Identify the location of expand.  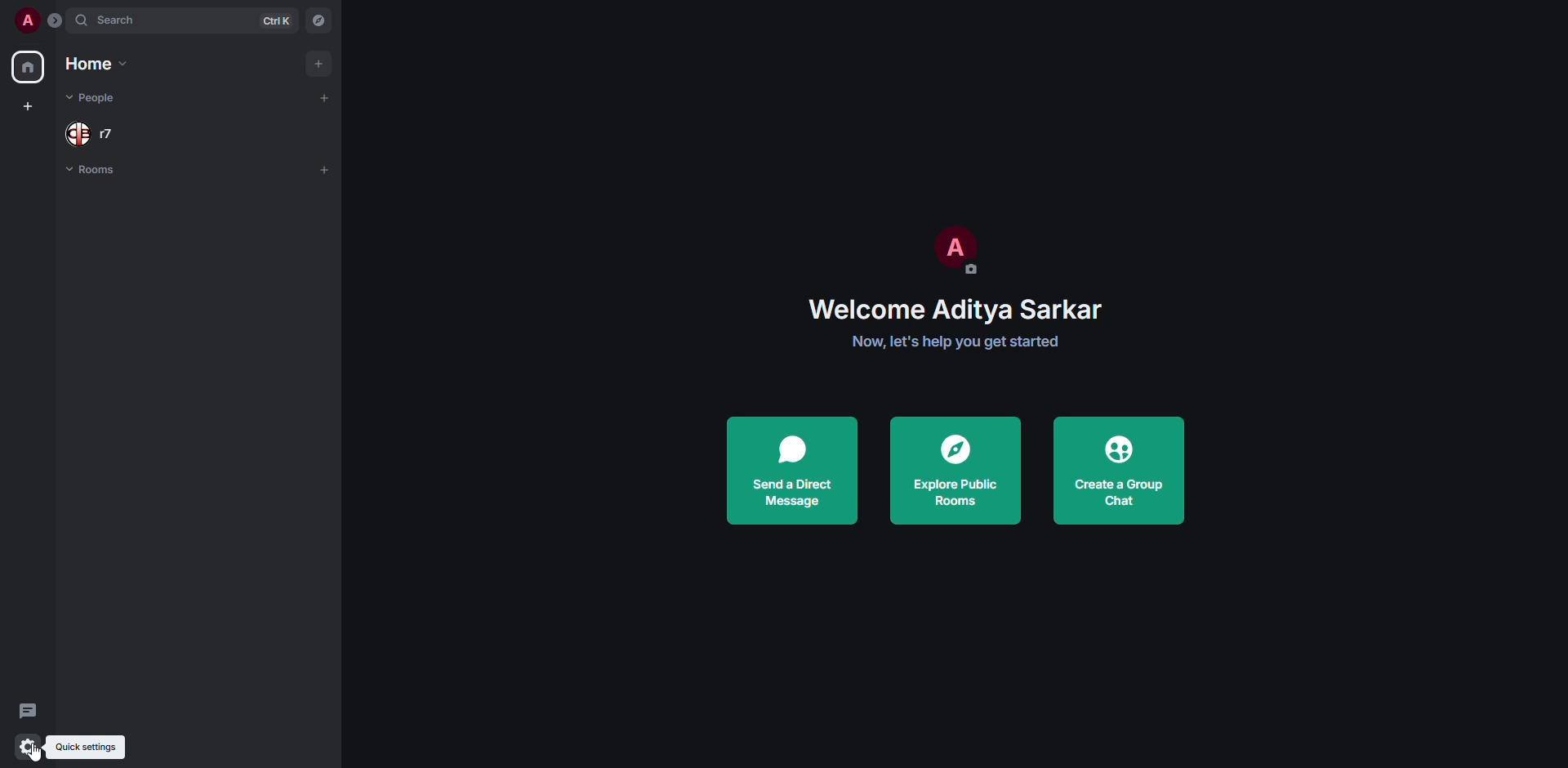
(57, 21).